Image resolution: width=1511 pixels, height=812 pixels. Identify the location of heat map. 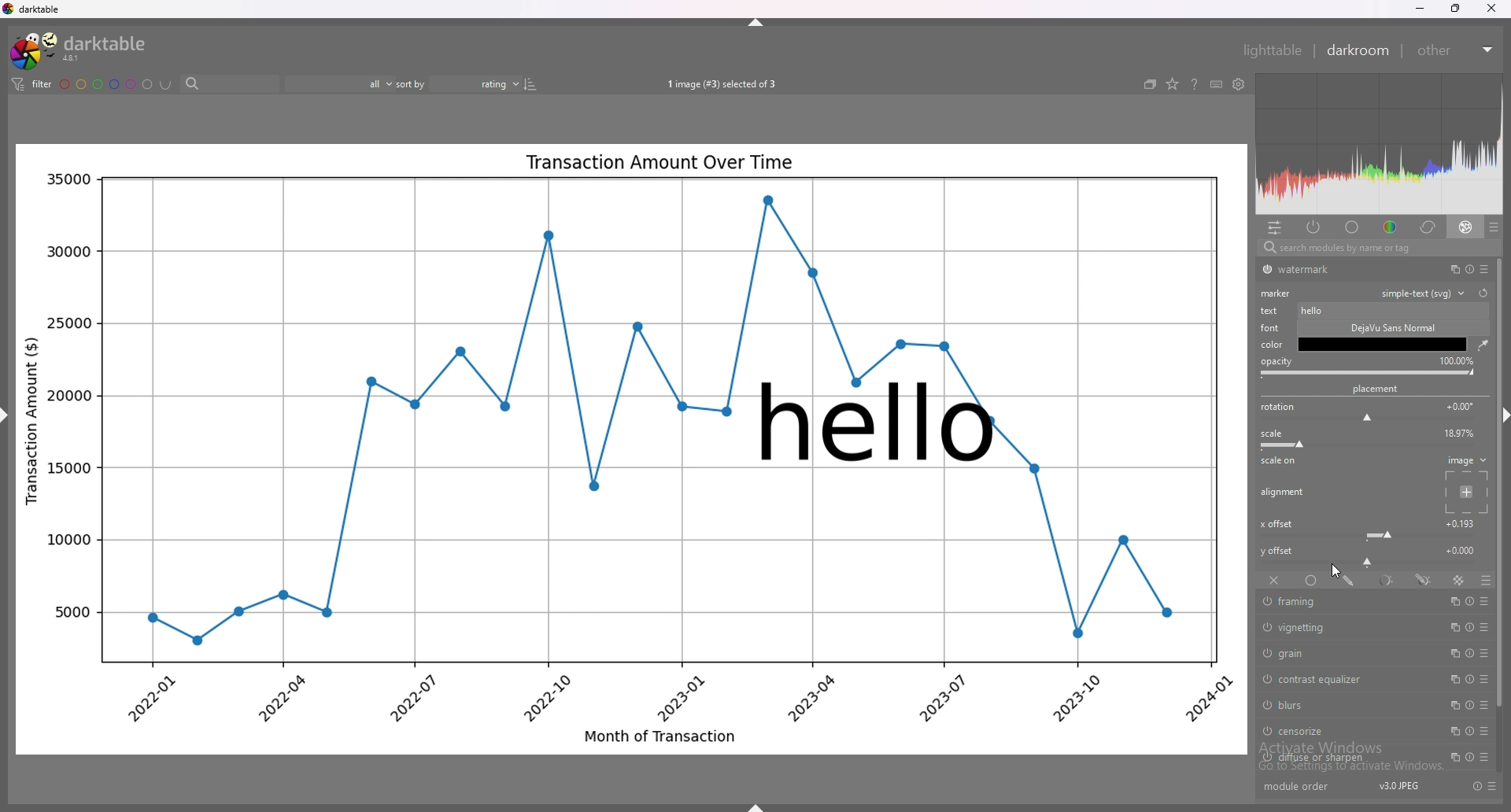
(1379, 144).